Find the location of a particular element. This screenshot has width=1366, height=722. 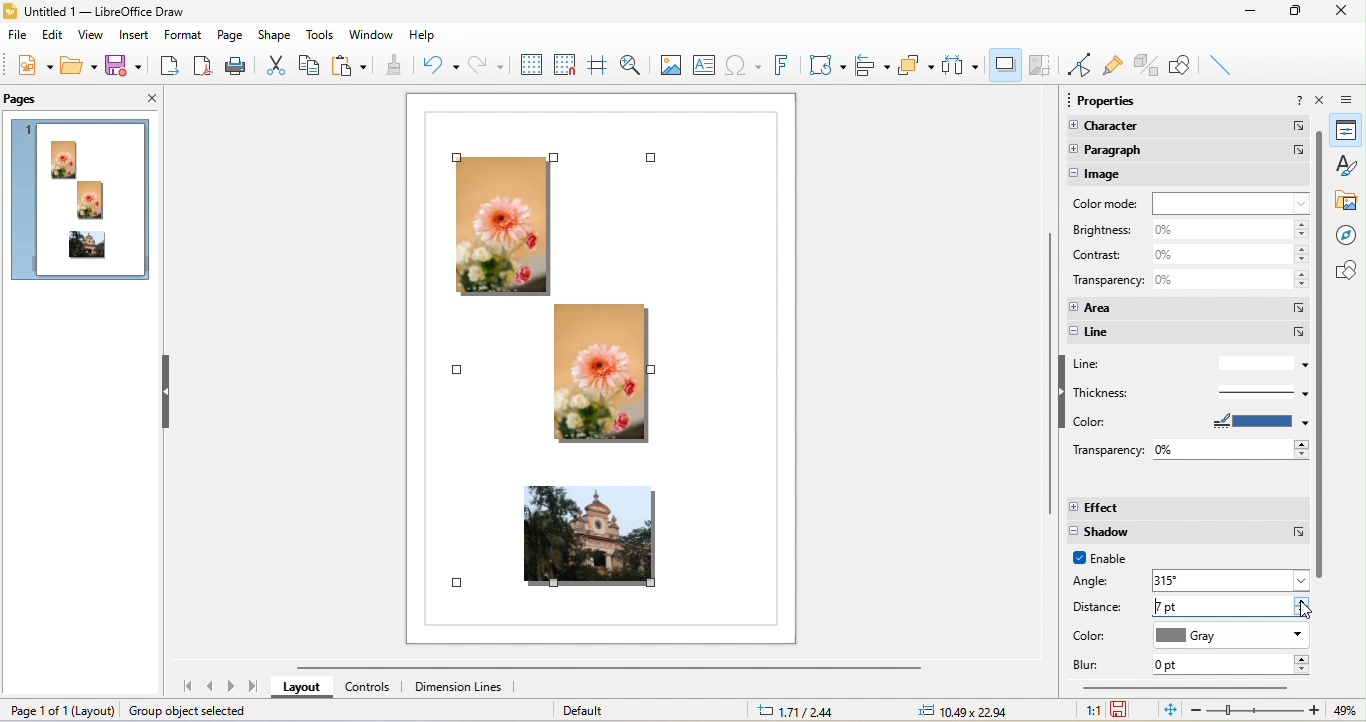

export is located at coordinates (170, 68).